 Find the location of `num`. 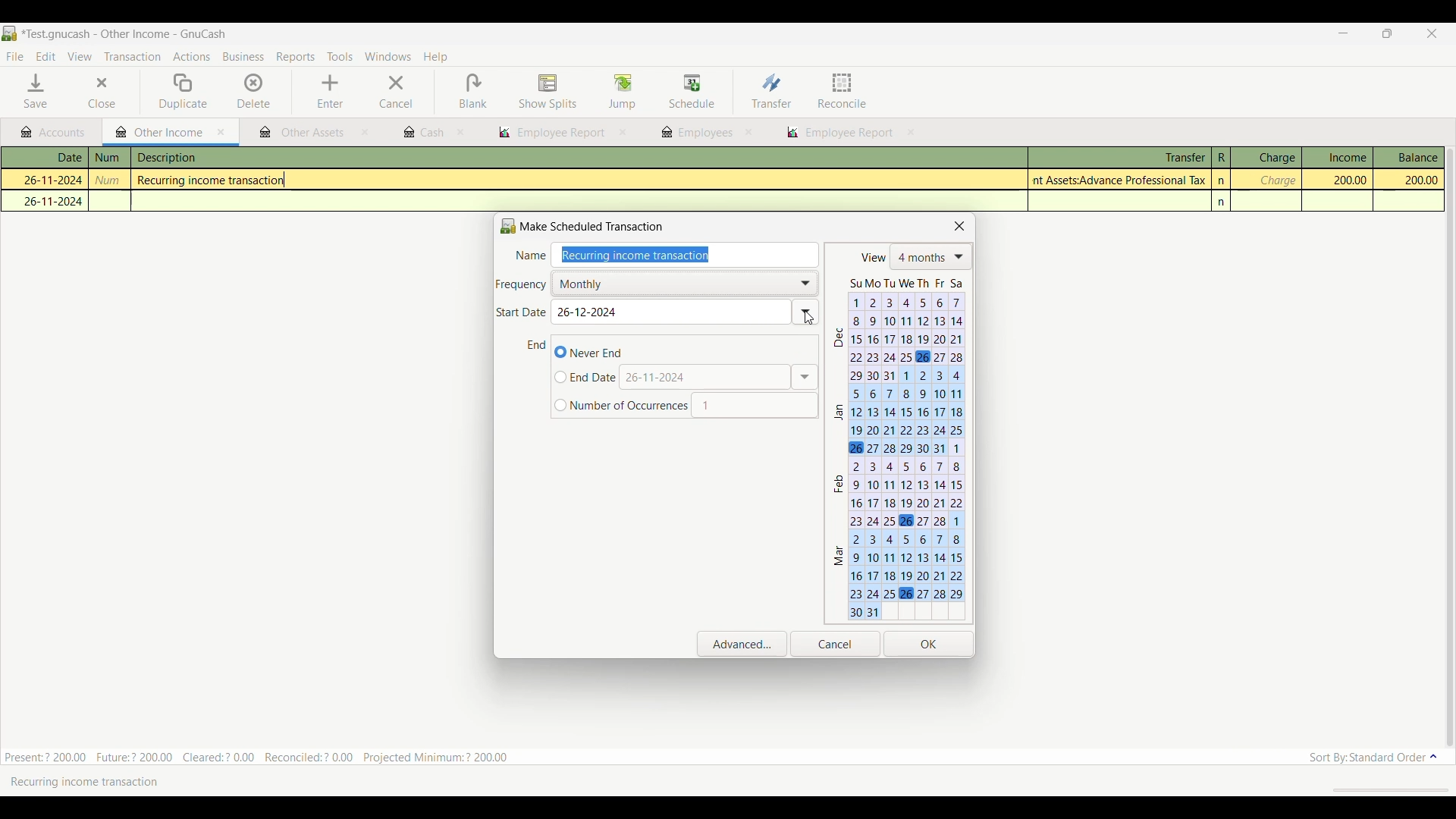

num is located at coordinates (109, 158).